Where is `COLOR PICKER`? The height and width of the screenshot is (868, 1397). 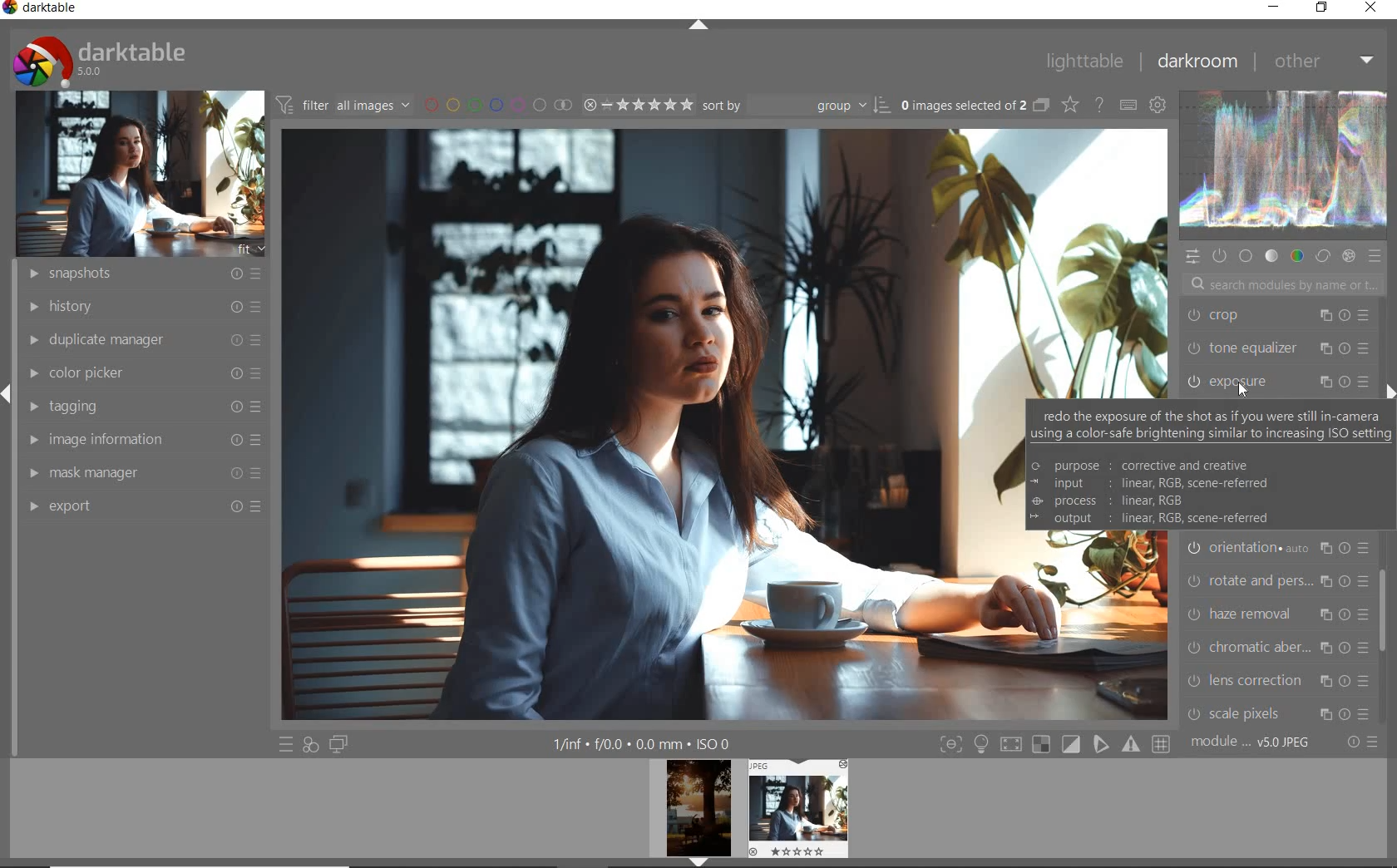
COLOR PICKER is located at coordinates (146, 370).